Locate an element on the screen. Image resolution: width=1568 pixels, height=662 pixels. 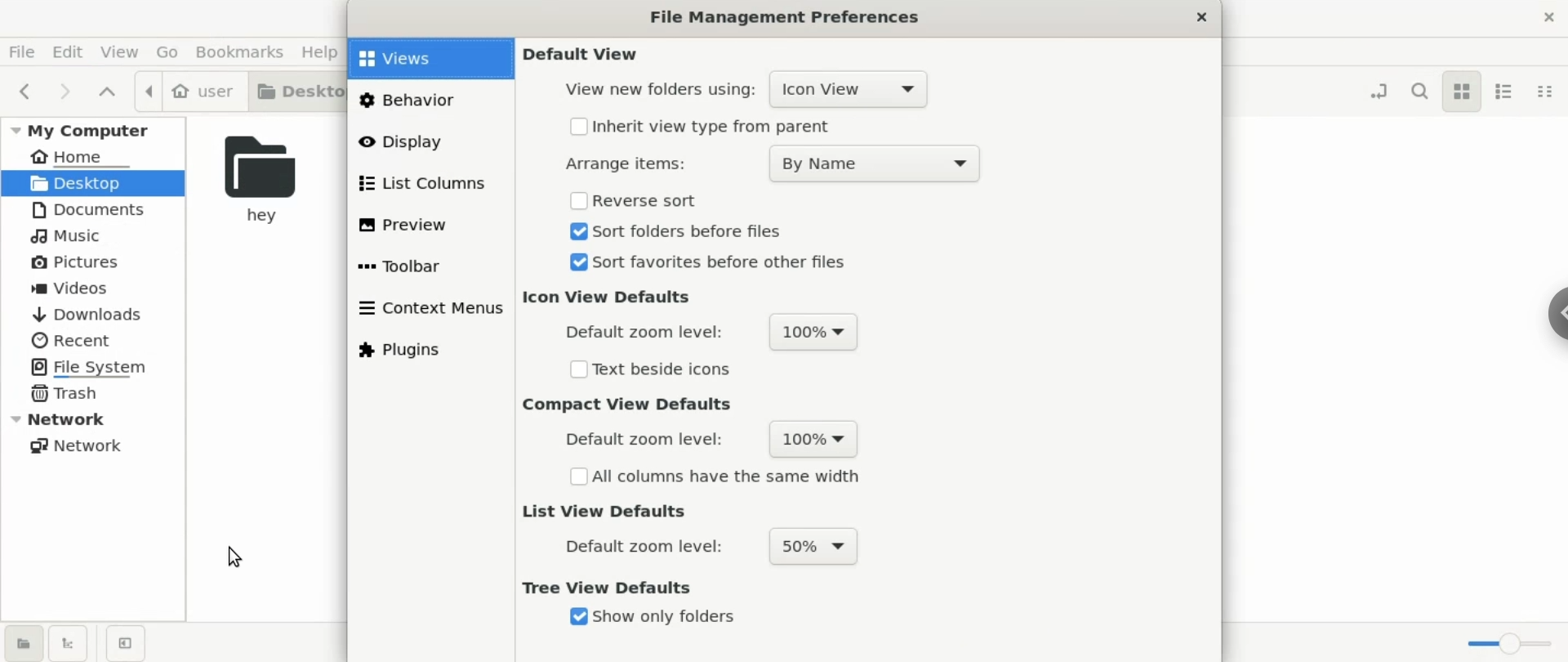
views is located at coordinates (431, 59).